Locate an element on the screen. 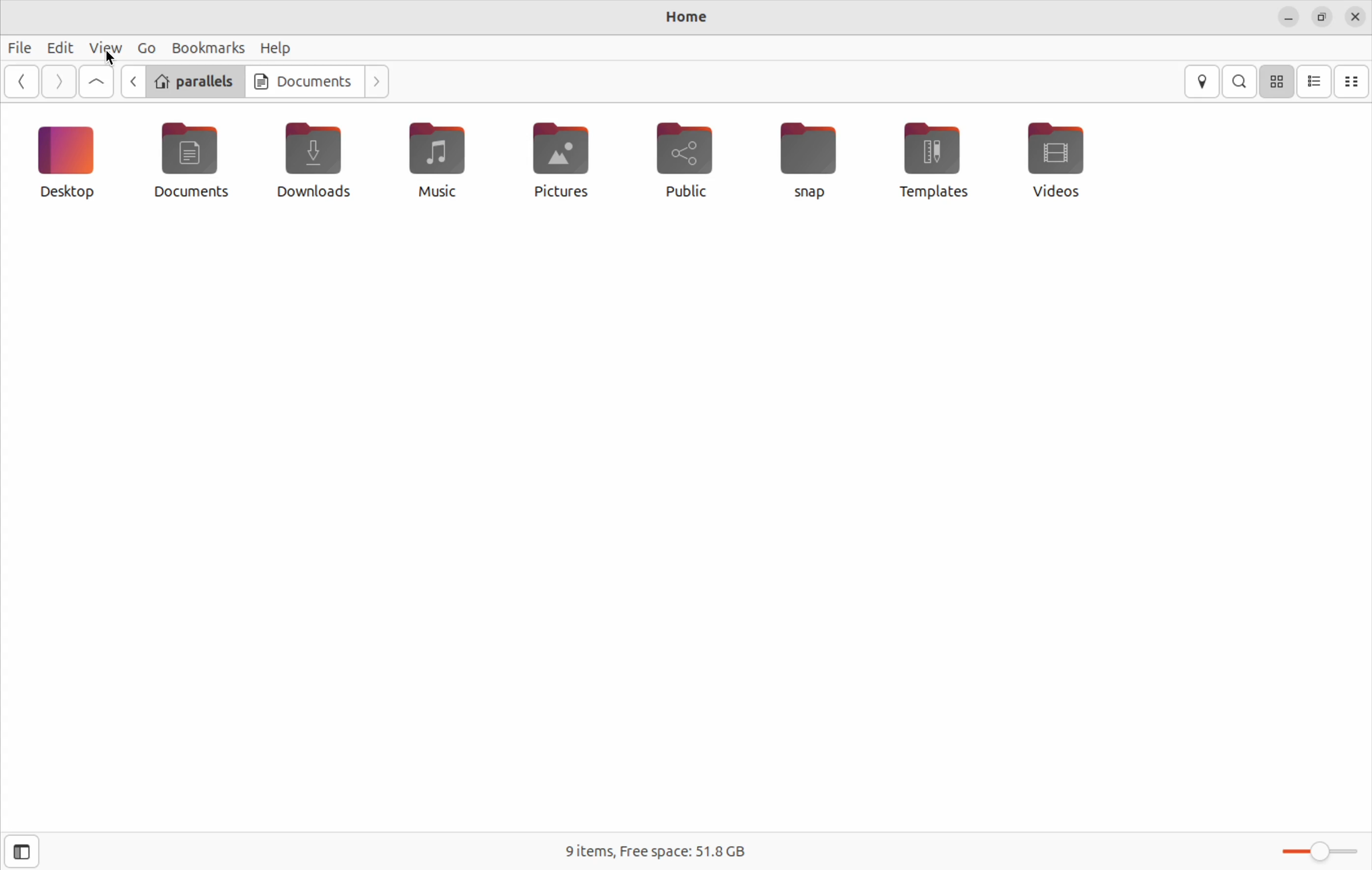 The image size is (1372, 870). previous is located at coordinates (132, 82).